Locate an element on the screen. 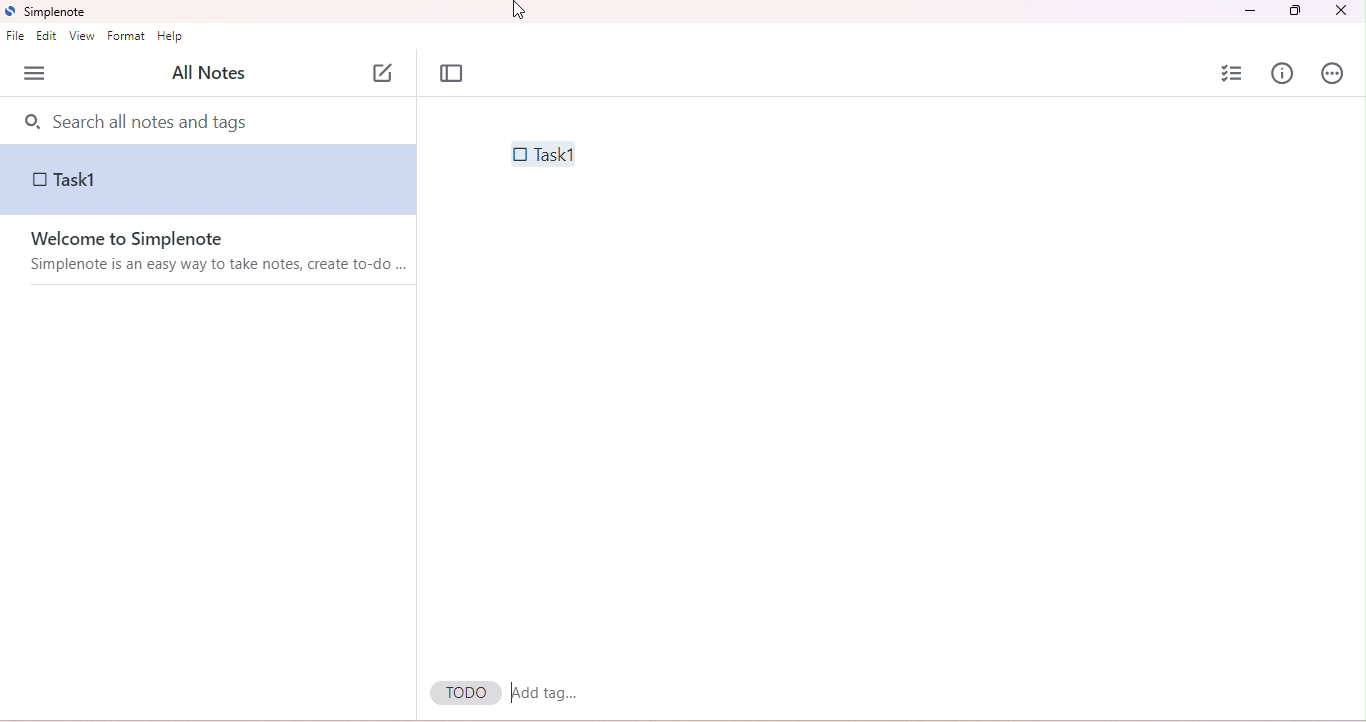  tag added is located at coordinates (467, 693).